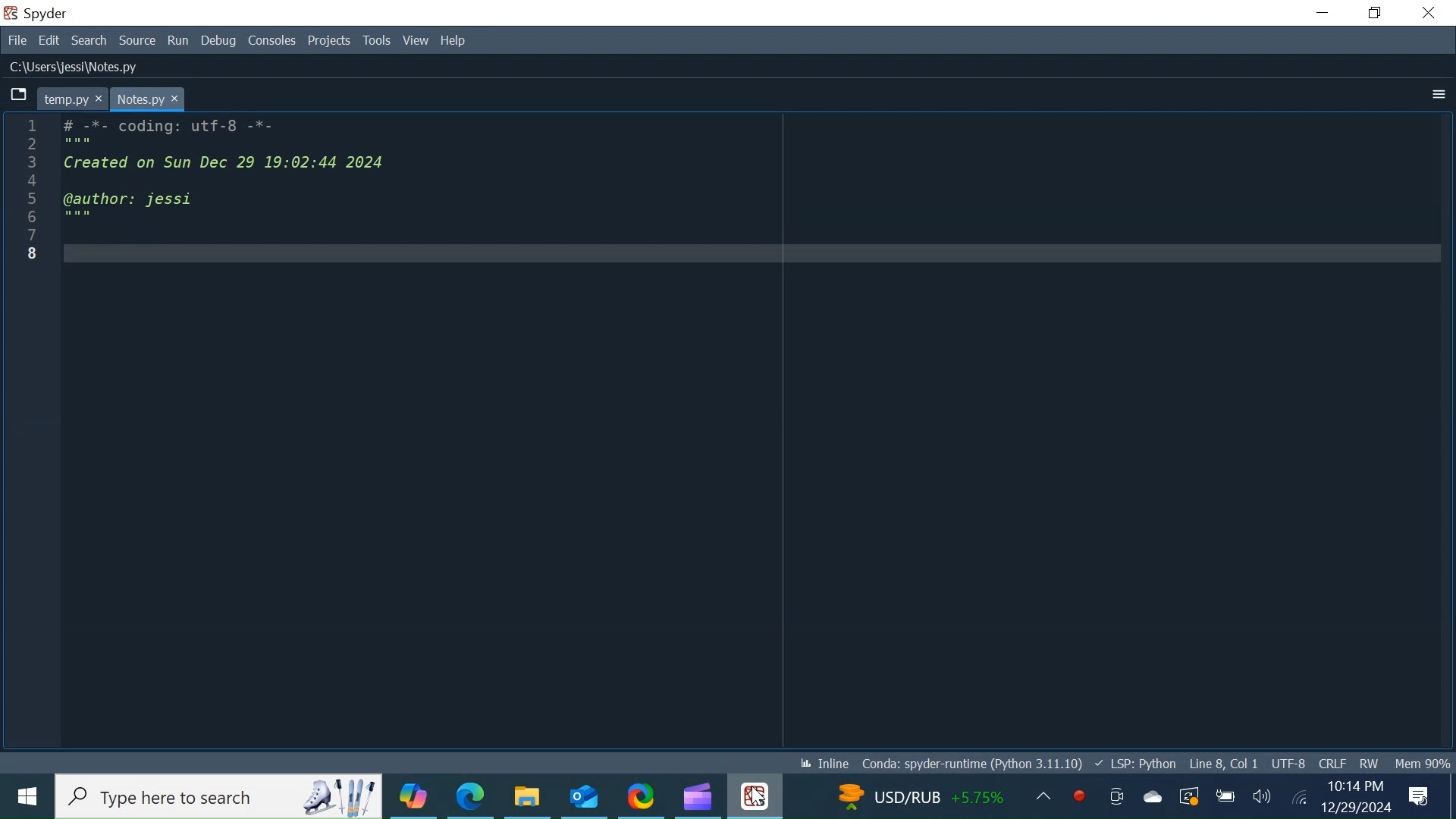 The width and height of the screenshot is (1456, 819). I want to click on LSP Python, so click(1135, 763).